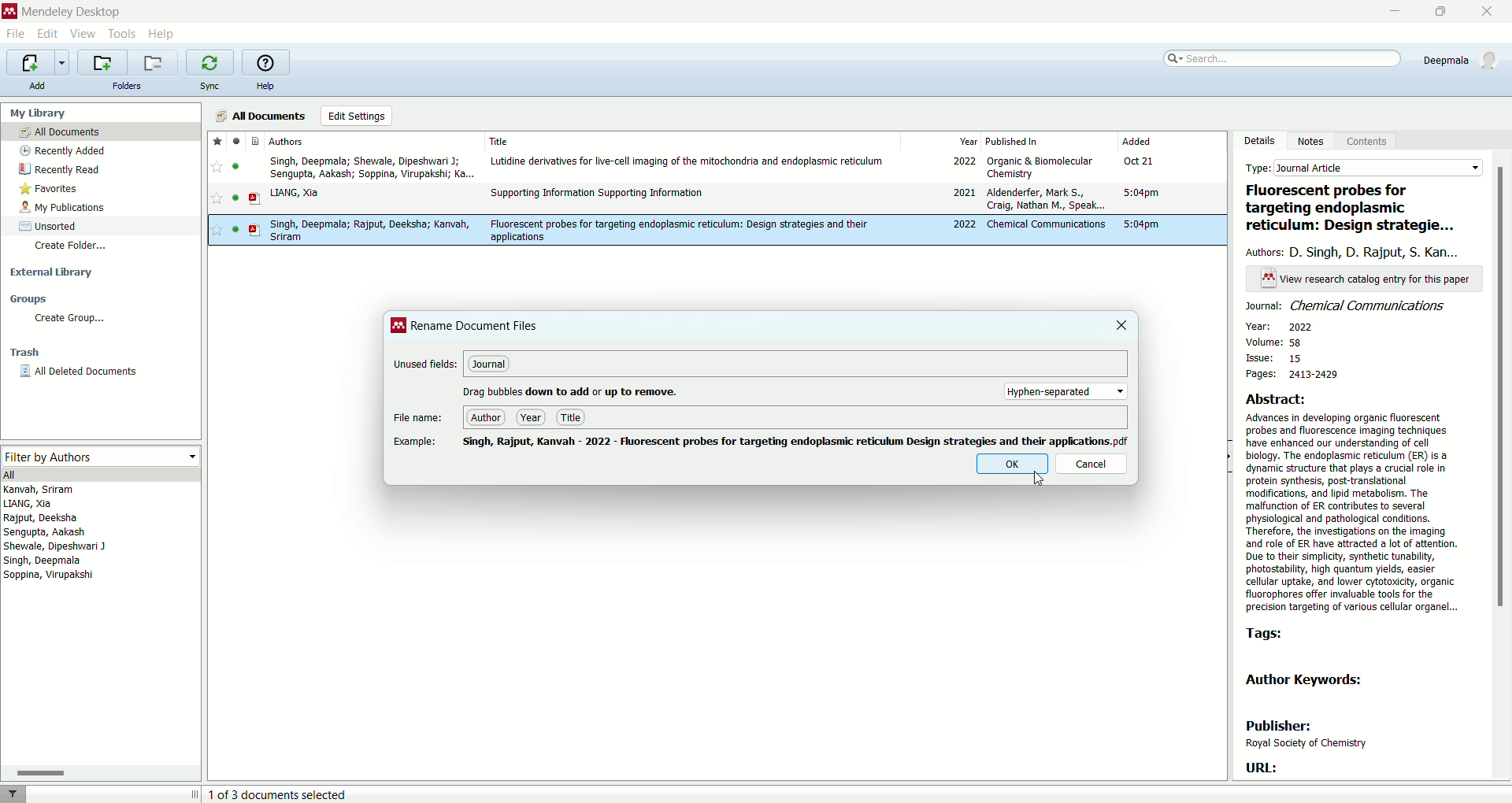 The width and height of the screenshot is (1512, 803). Describe the element at coordinates (1392, 12) in the screenshot. I see `minimize` at that location.